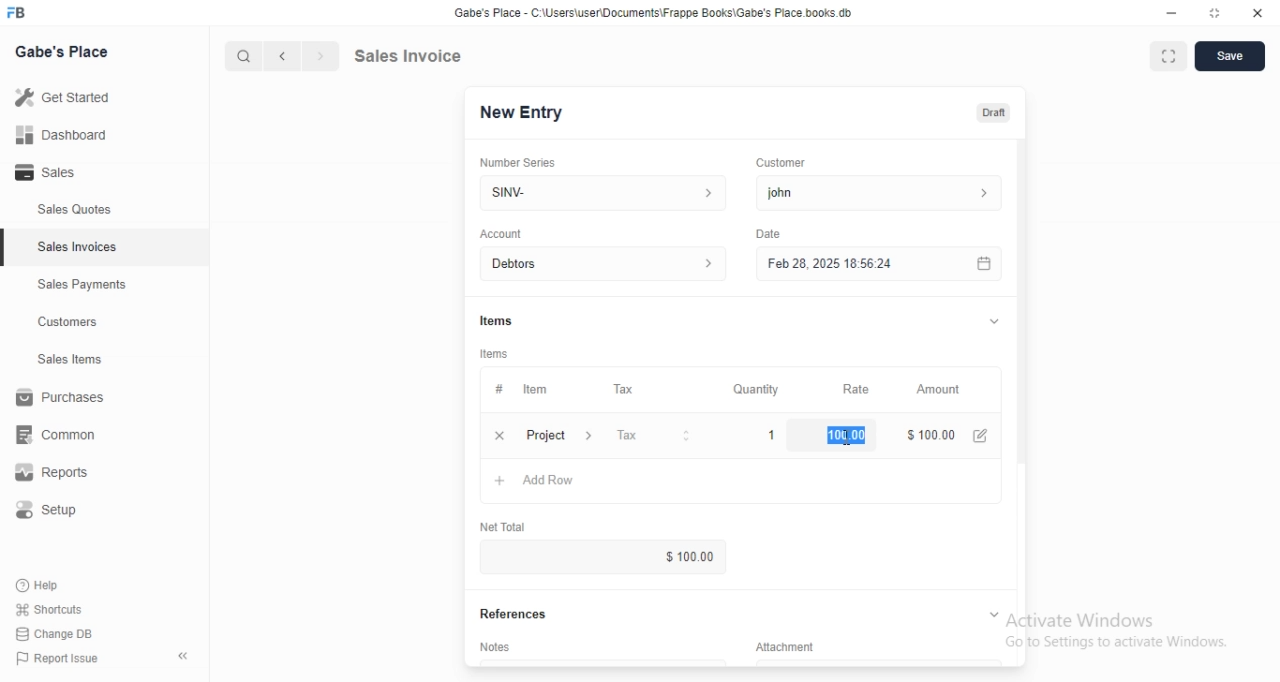  I want to click on ‘Quantity, so click(755, 389).